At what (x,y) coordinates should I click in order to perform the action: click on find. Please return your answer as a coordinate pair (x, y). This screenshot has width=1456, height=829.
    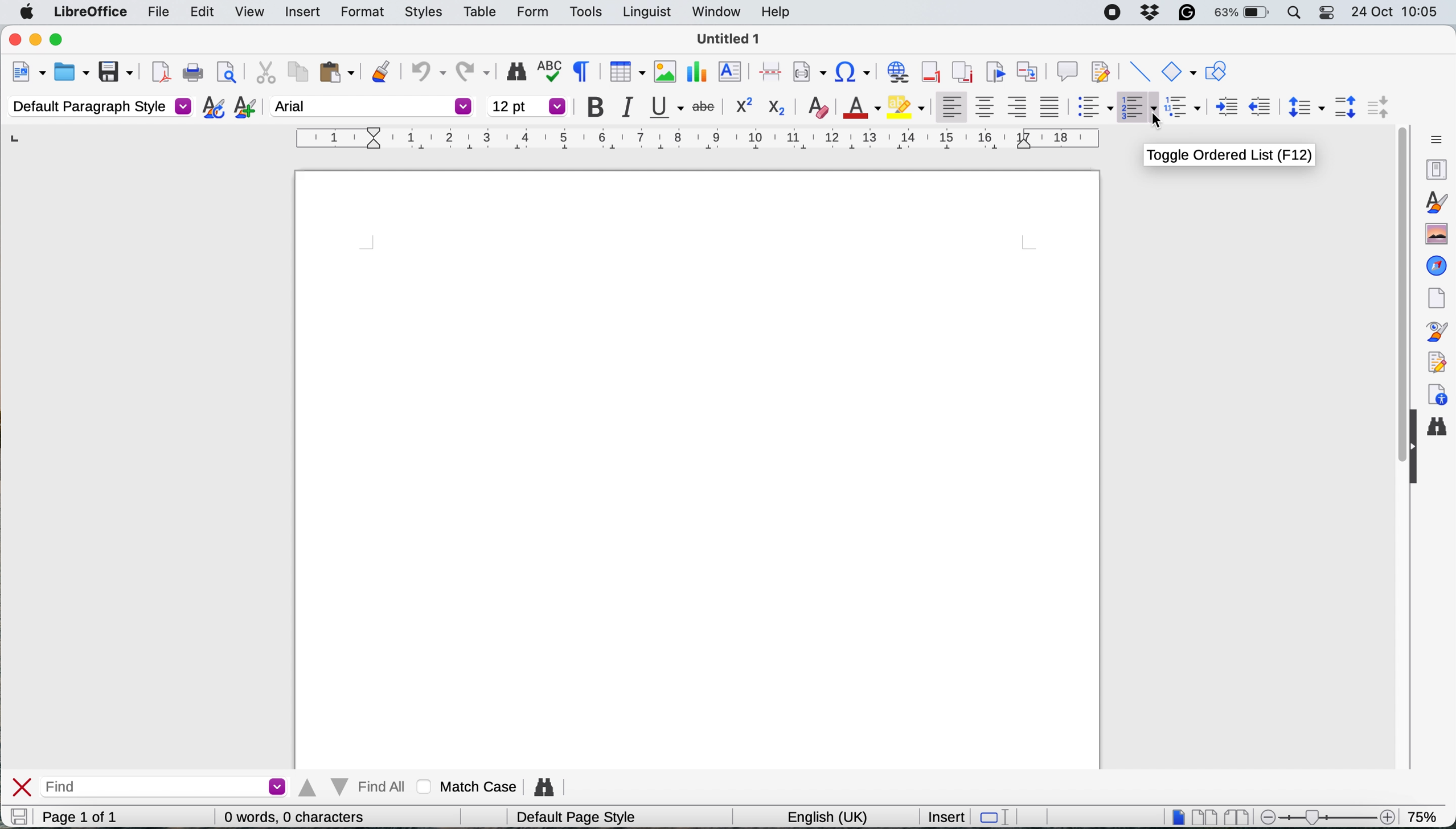
    Looking at the image, I should click on (168, 786).